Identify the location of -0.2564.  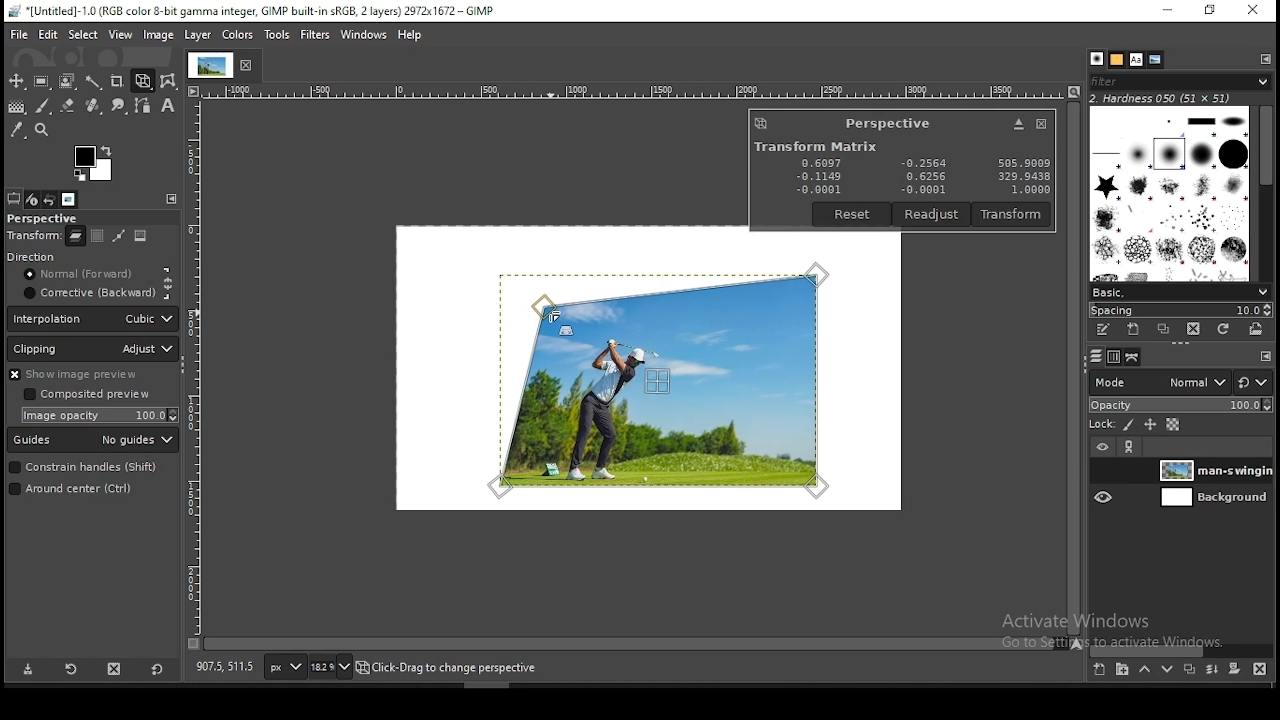
(922, 164).